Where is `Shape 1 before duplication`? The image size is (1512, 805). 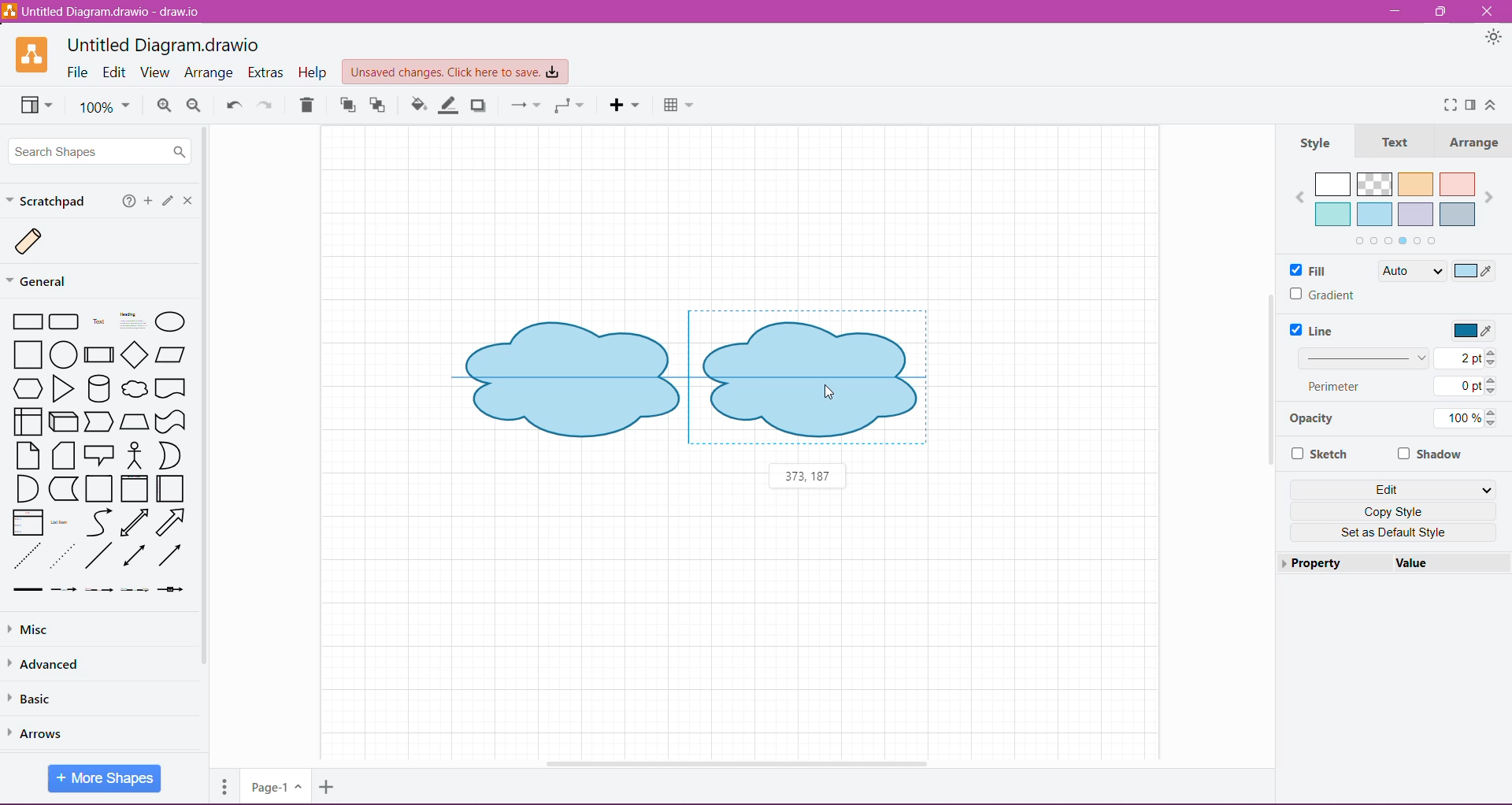 Shape 1 before duplication is located at coordinates (572, 376).